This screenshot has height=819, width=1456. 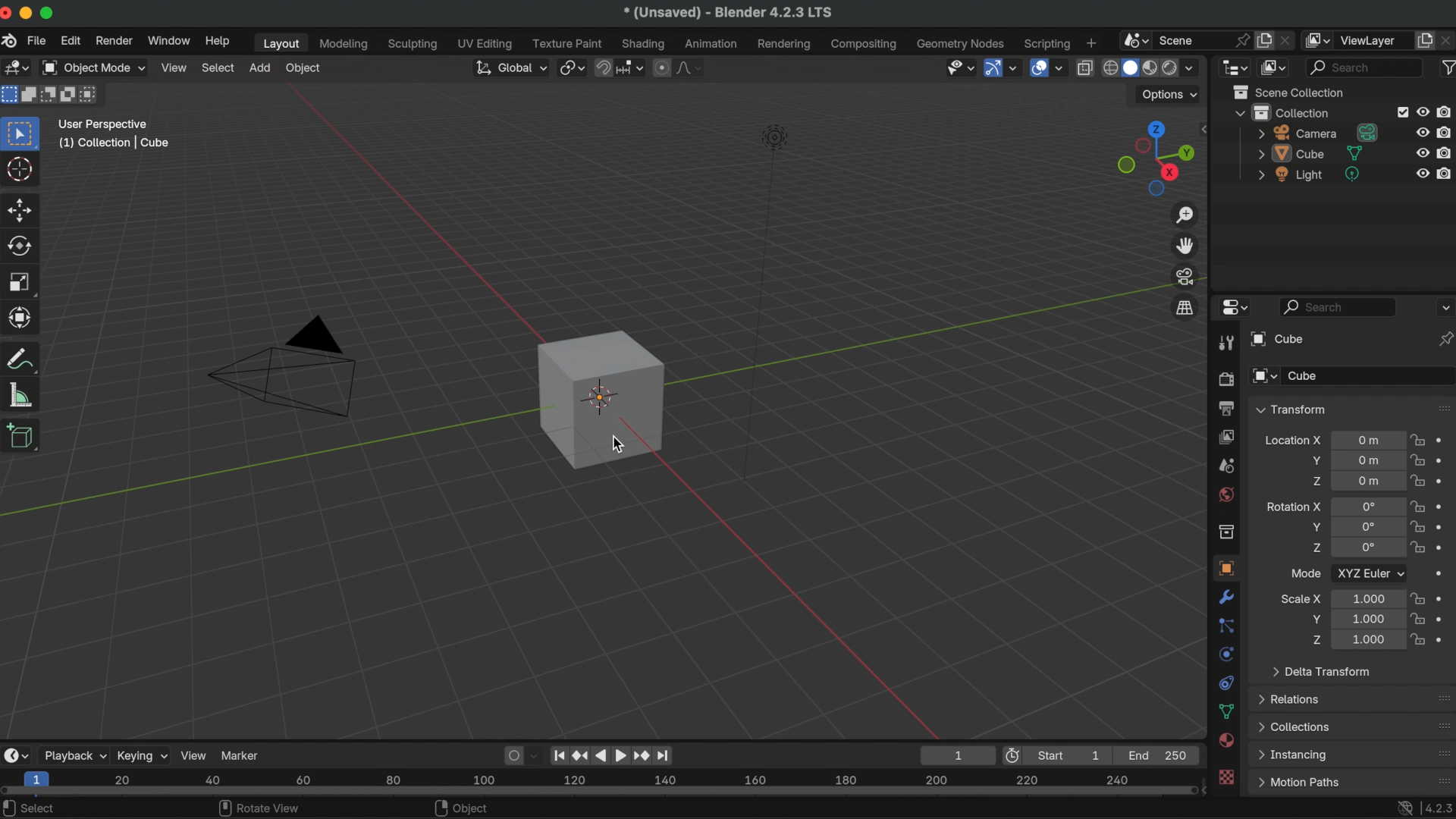 I want to click on browse scene to be linked, so click(x=1134, y=39).